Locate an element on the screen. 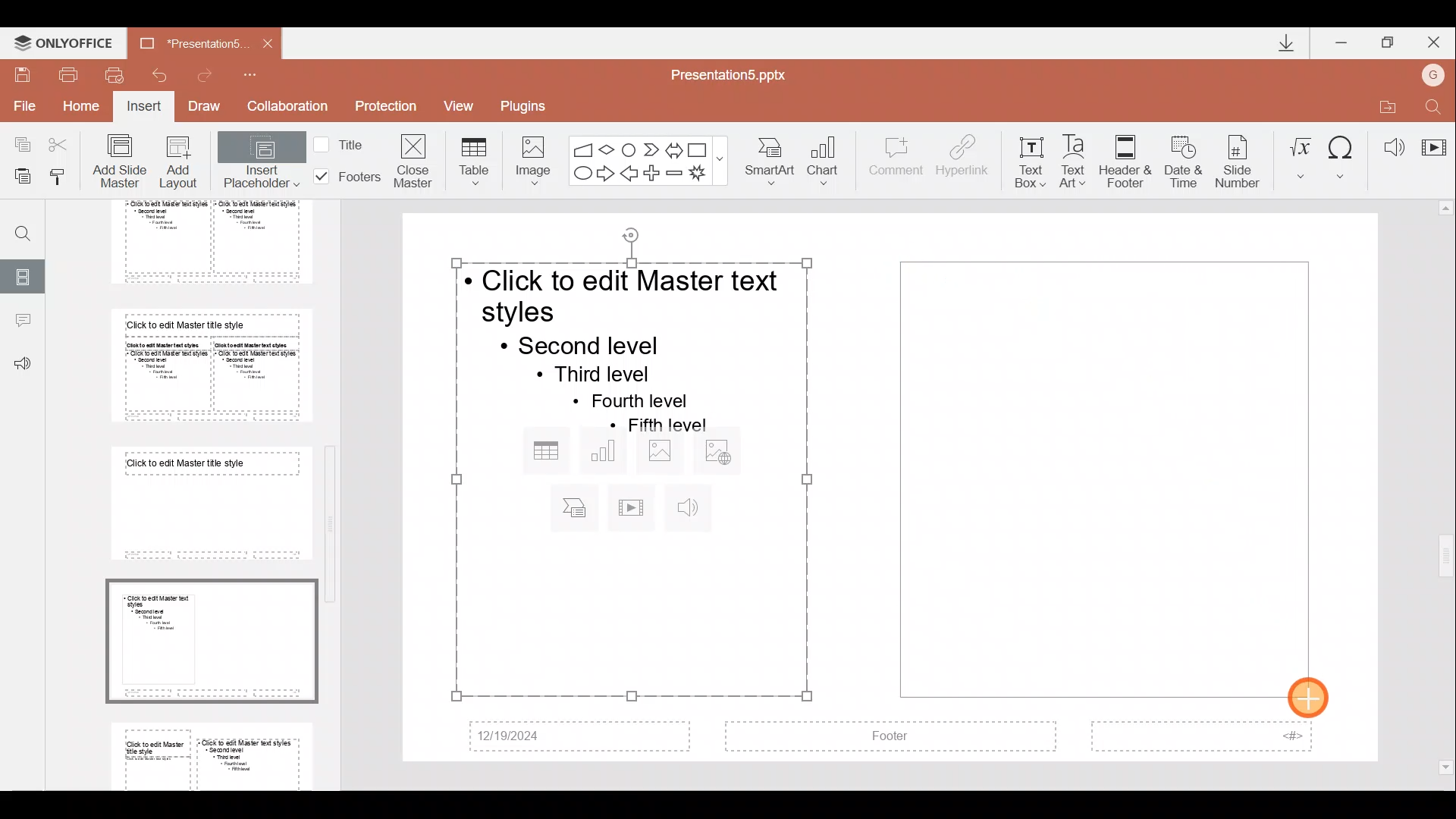  Comments is located at coordinates (22, 322).